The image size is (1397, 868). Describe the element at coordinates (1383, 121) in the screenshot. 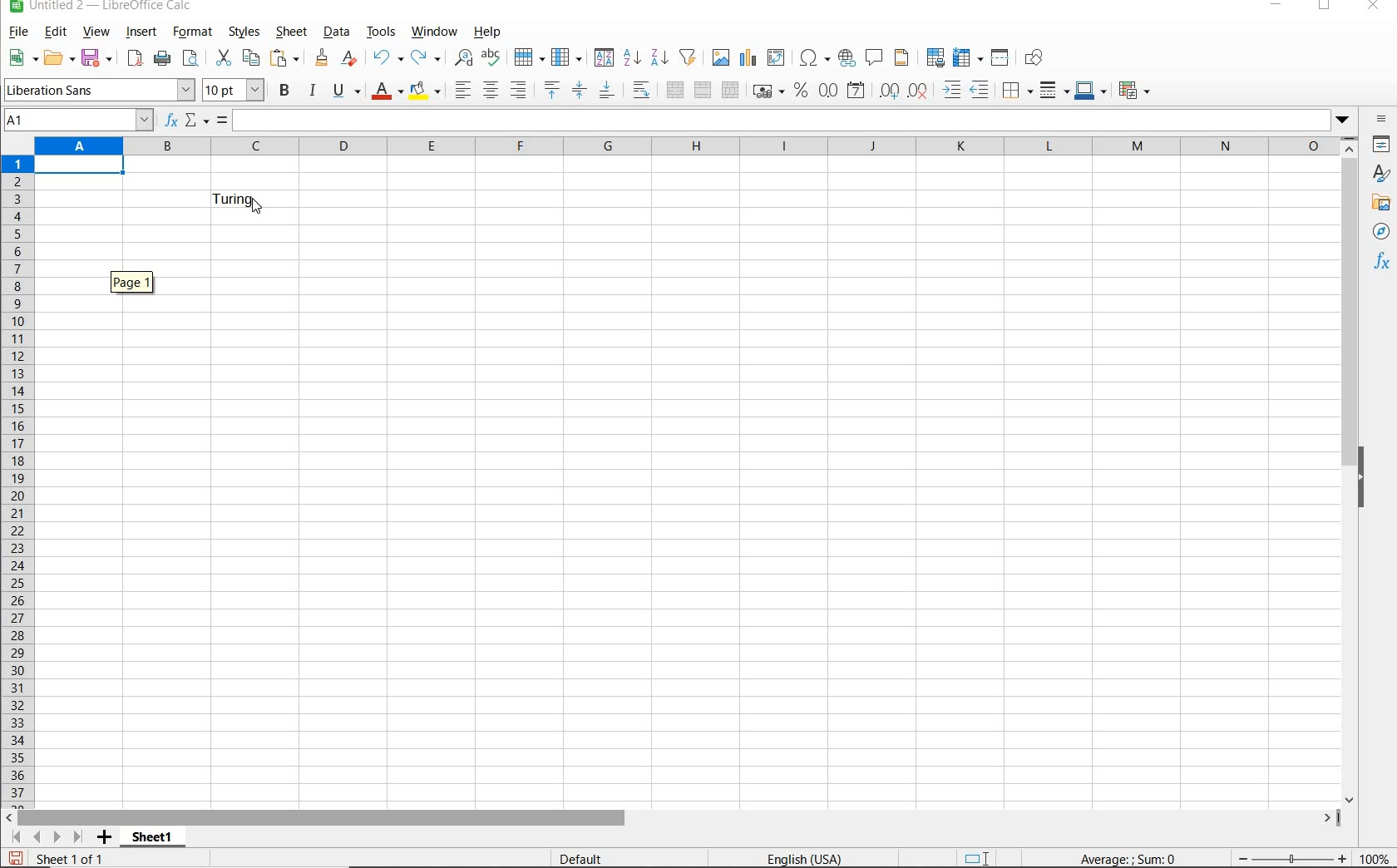

I see `SIDEBAR SETTINGS` at that location.